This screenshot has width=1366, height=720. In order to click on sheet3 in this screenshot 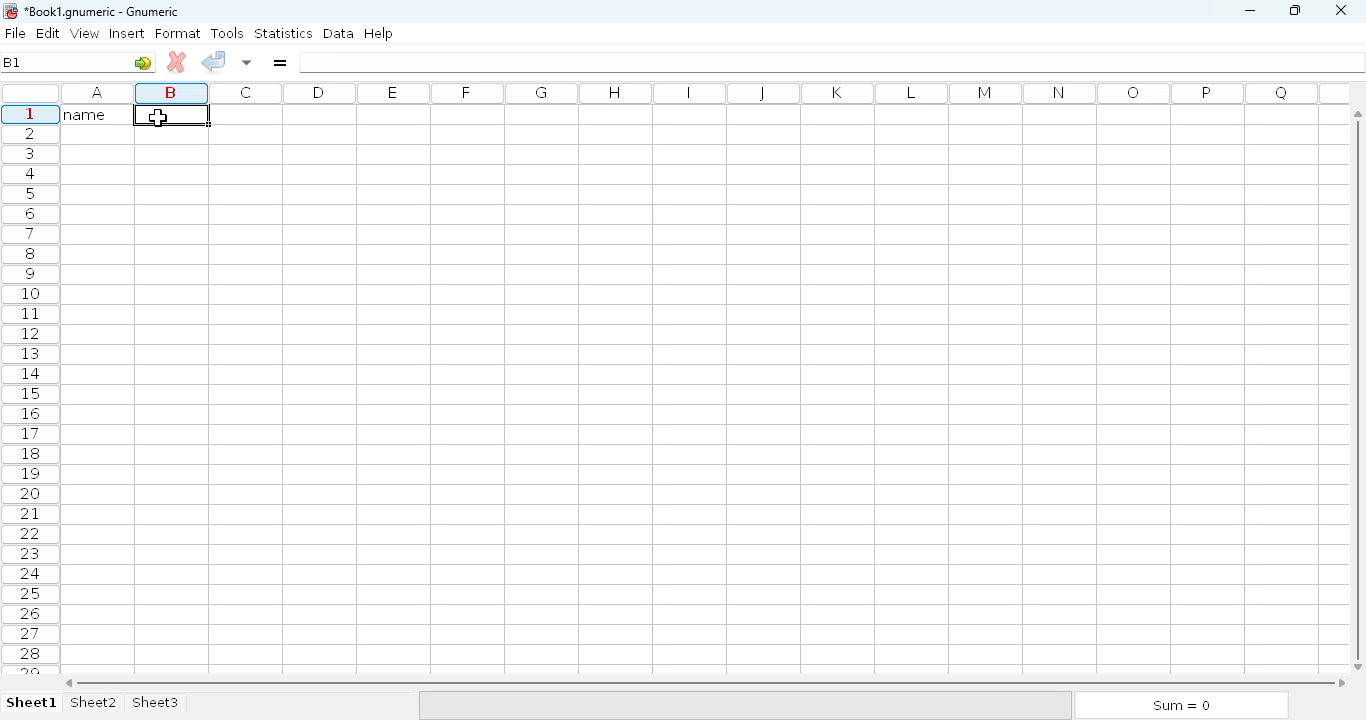, I will do `click(155, 703)`.